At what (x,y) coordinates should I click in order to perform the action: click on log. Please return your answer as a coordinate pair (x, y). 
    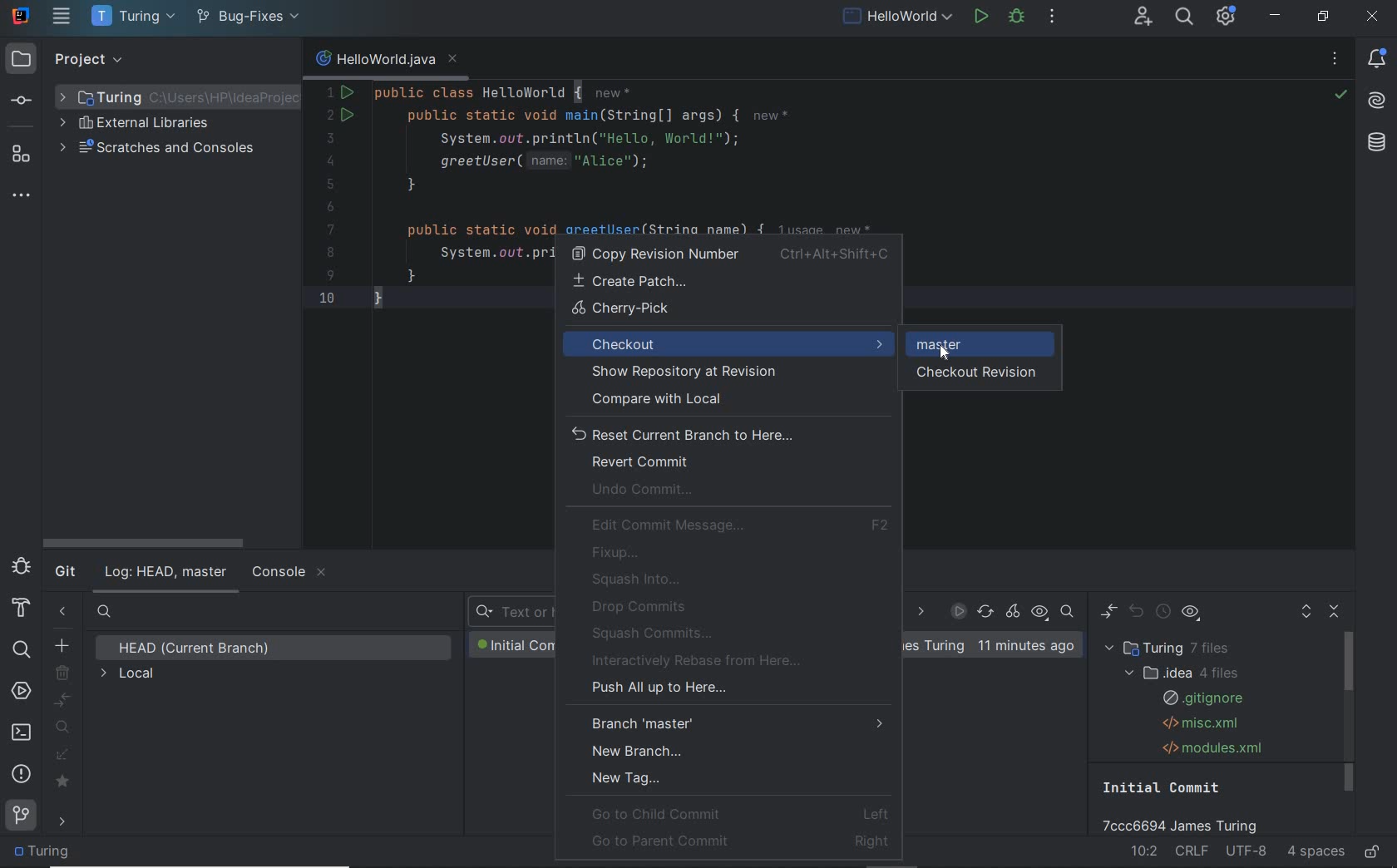
    Looking at the image, I should click on (165, 573).